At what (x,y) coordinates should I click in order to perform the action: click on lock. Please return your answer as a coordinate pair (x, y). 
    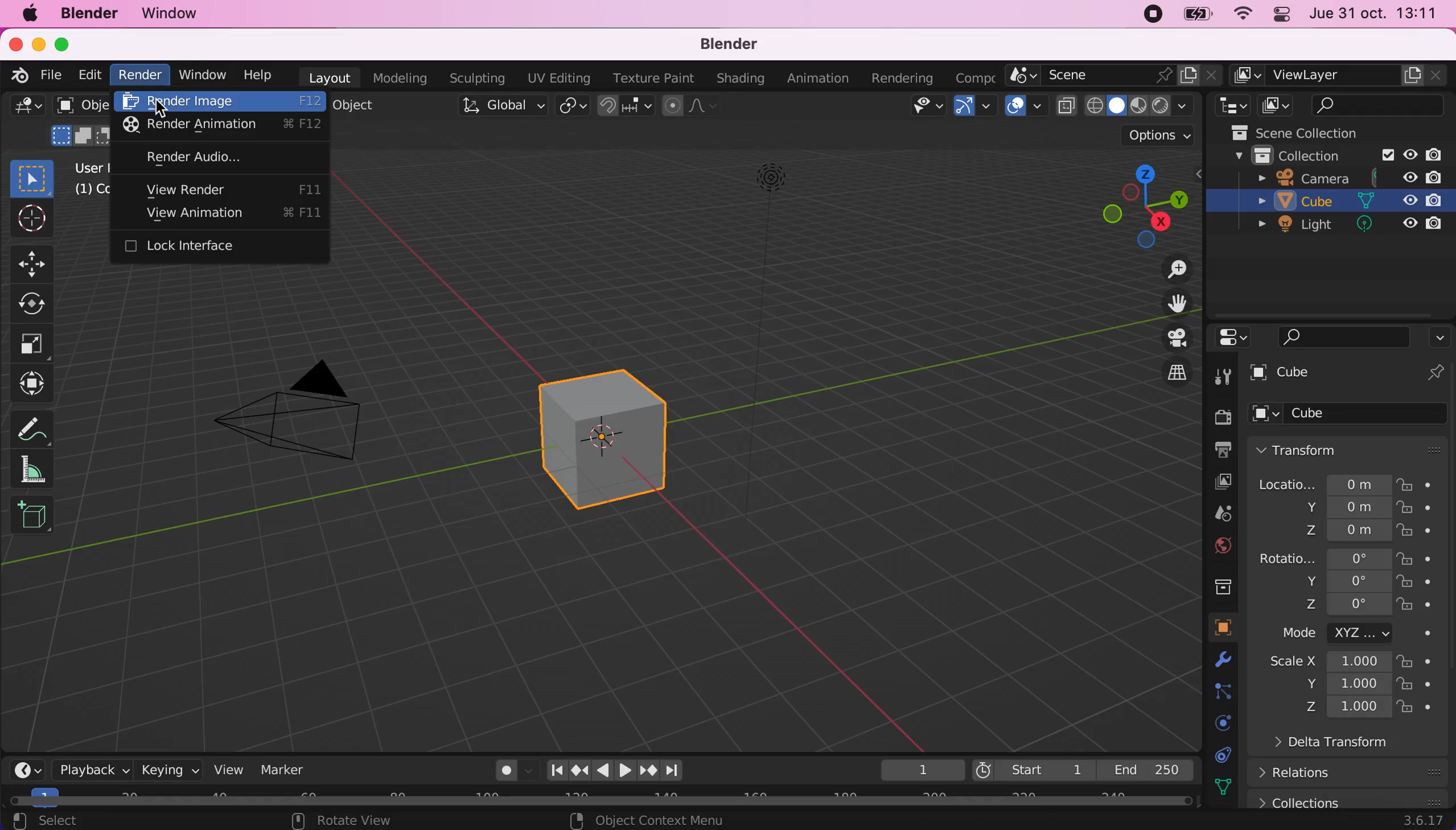
    Looking at the image, I should click on (1416, 533).